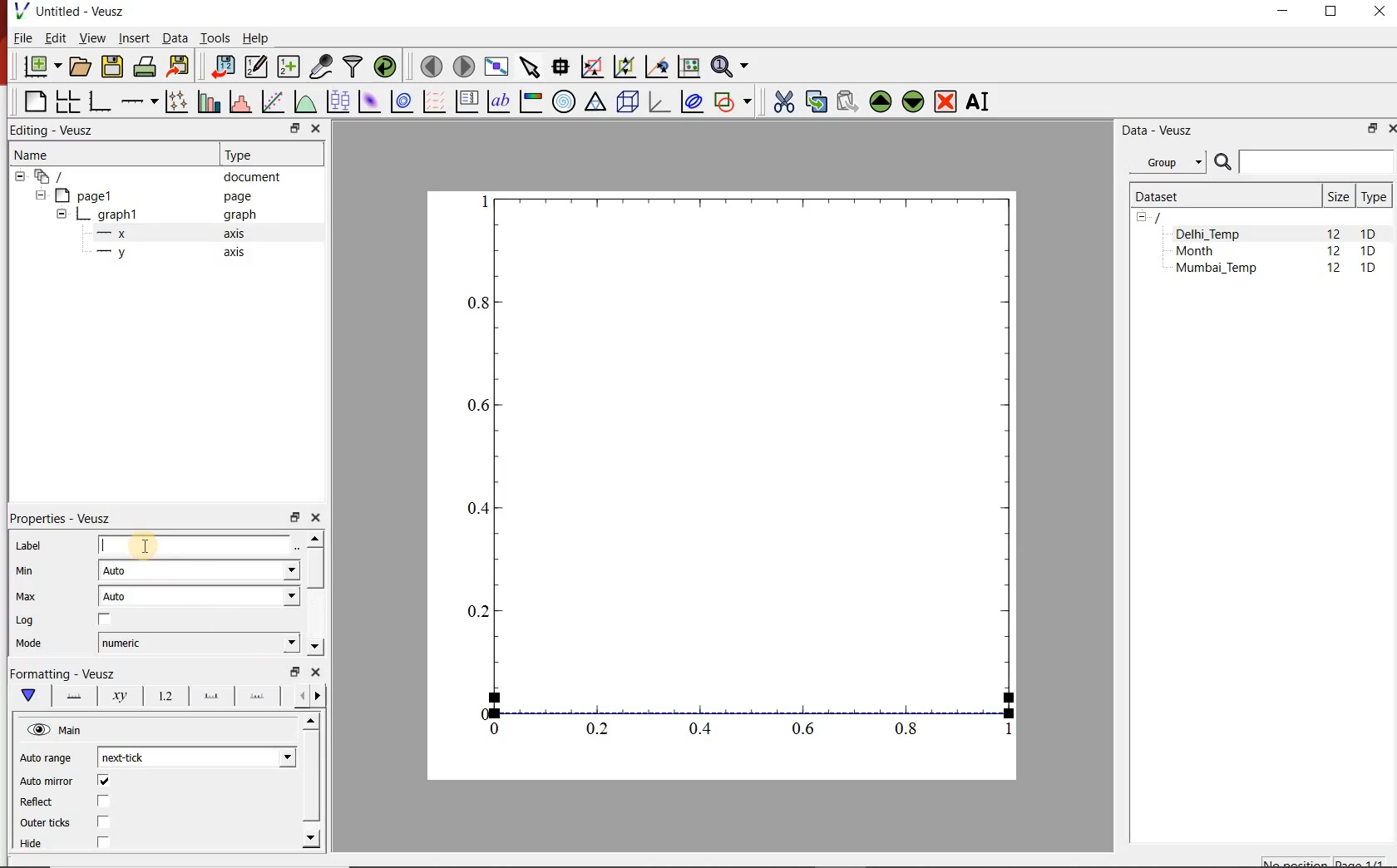 This screenshot has width=1397, height=868. Describe the element at coordinates (196, 757) in the screenshot. I see `next-tick` at that location.